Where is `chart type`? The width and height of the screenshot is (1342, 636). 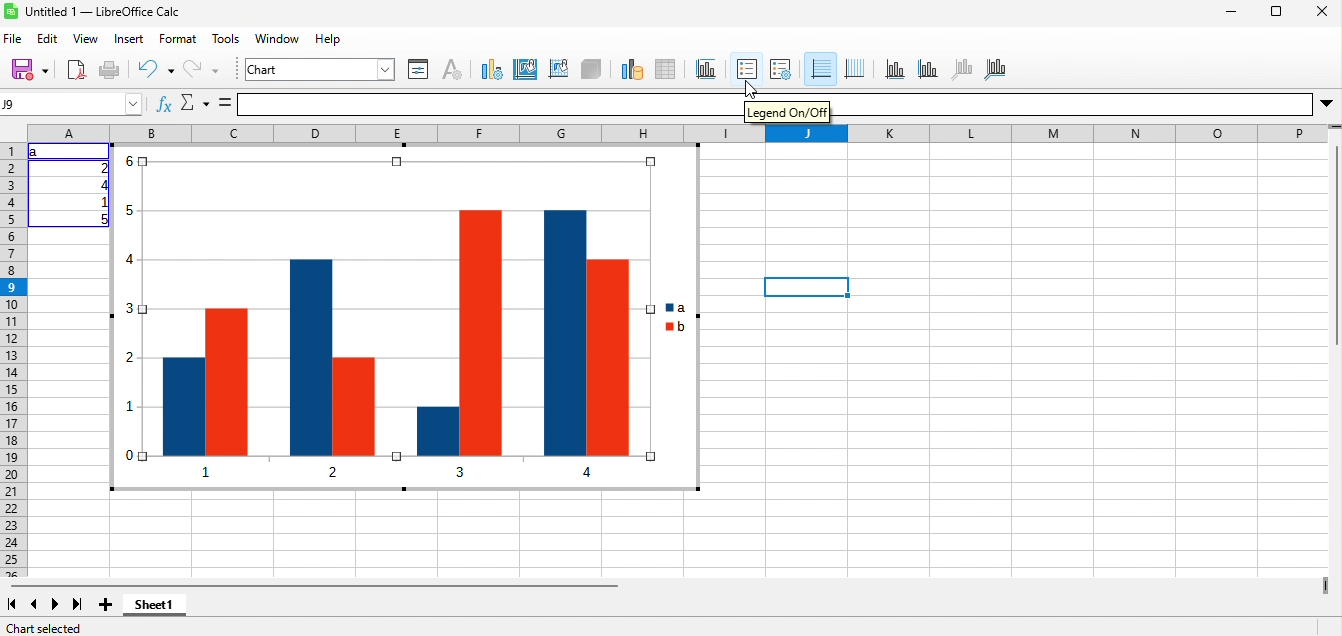 chart type is located at coordinates (491, 70).